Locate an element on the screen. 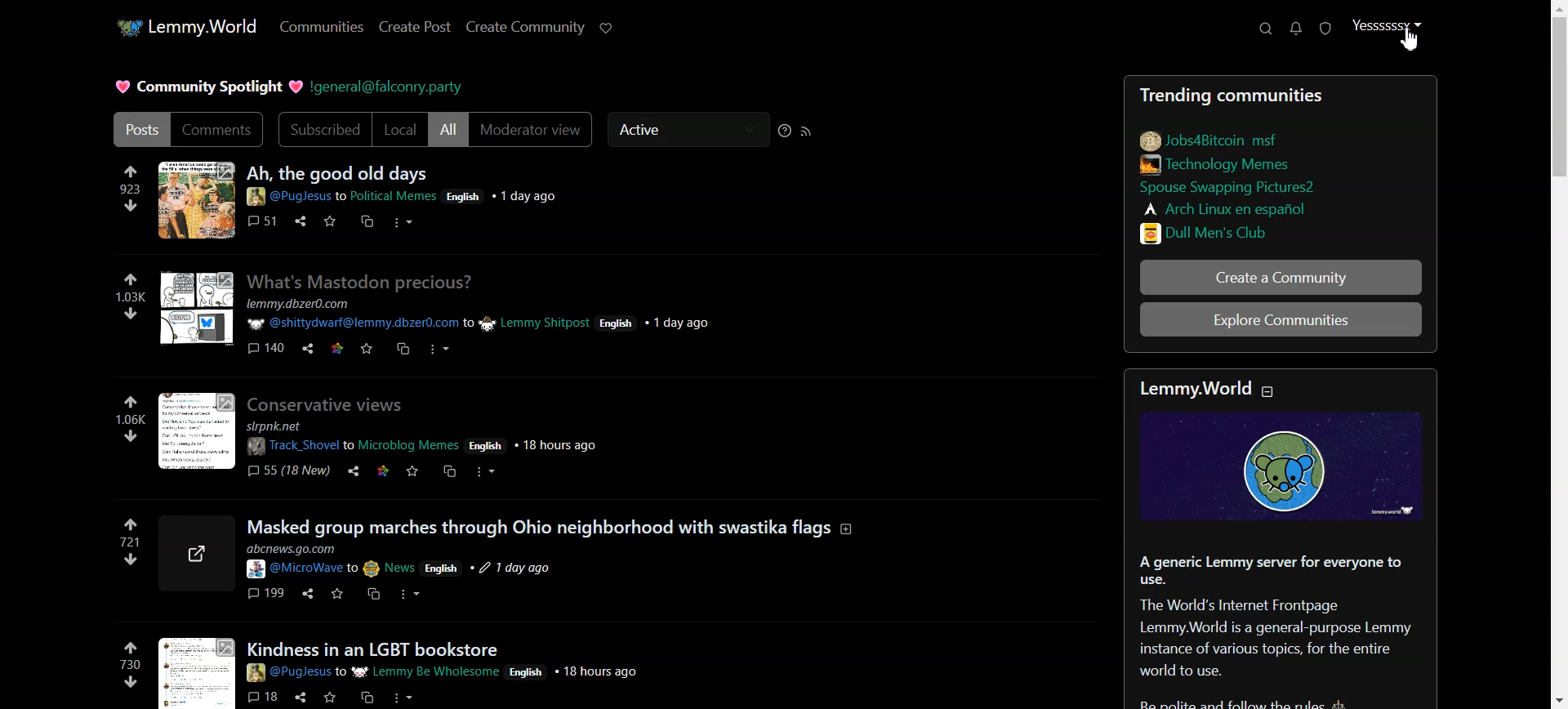 This screenshot has width=1568, height=709. Text is located at coordinates (1284, 629).